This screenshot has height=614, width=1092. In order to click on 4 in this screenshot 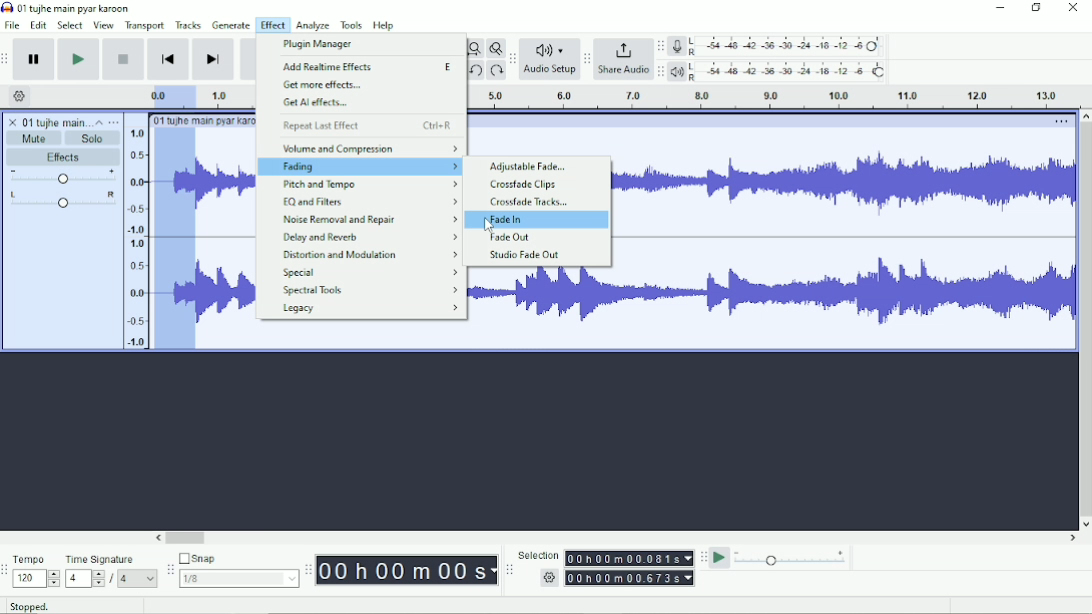, I will do `click(137, 578)`.